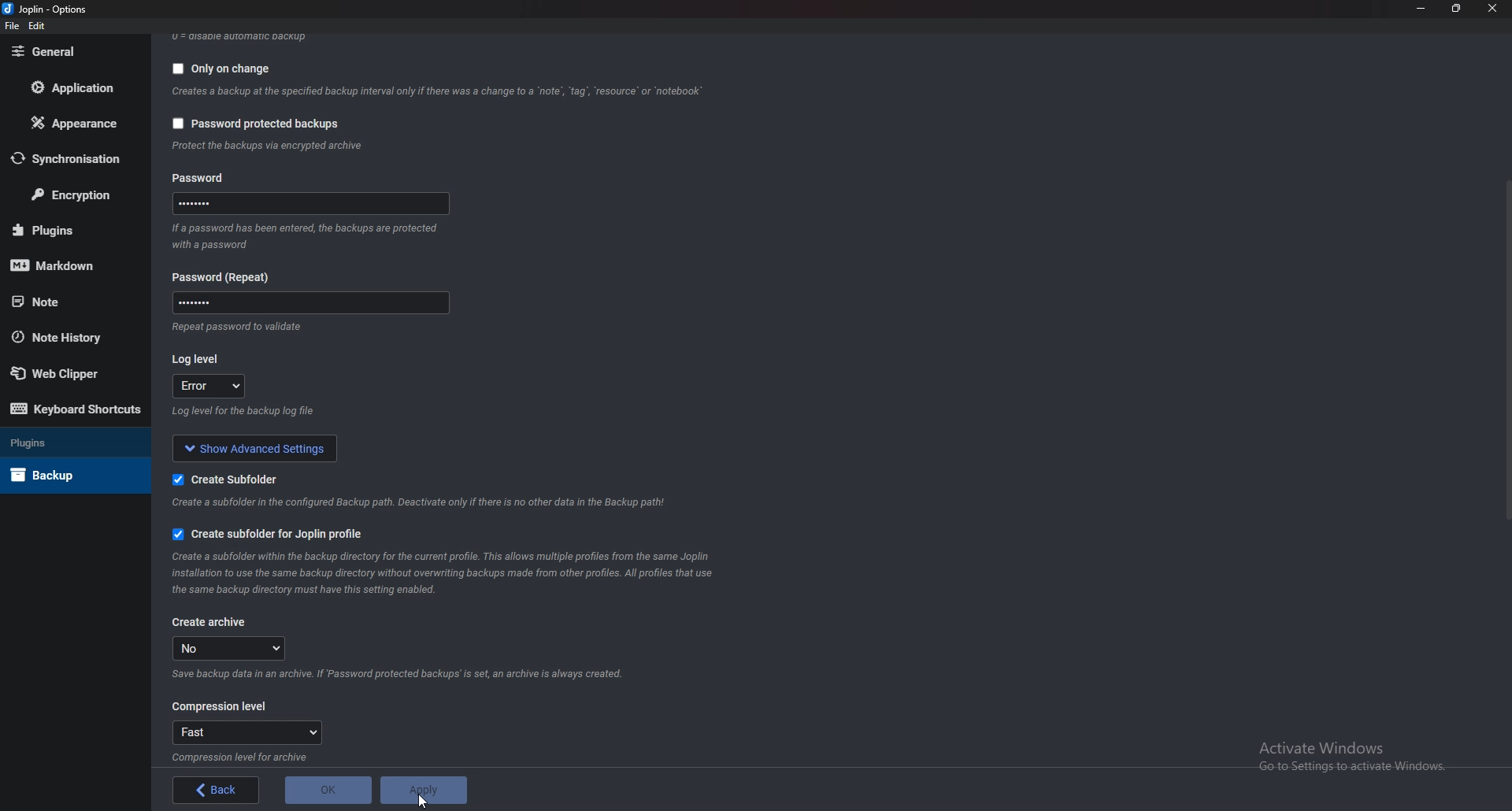 The height and width of the screenshot is (811, 1512). What do you see at coordinates (230, 649) in the screenshot?
I see `no` at bounding box center [230, 649].